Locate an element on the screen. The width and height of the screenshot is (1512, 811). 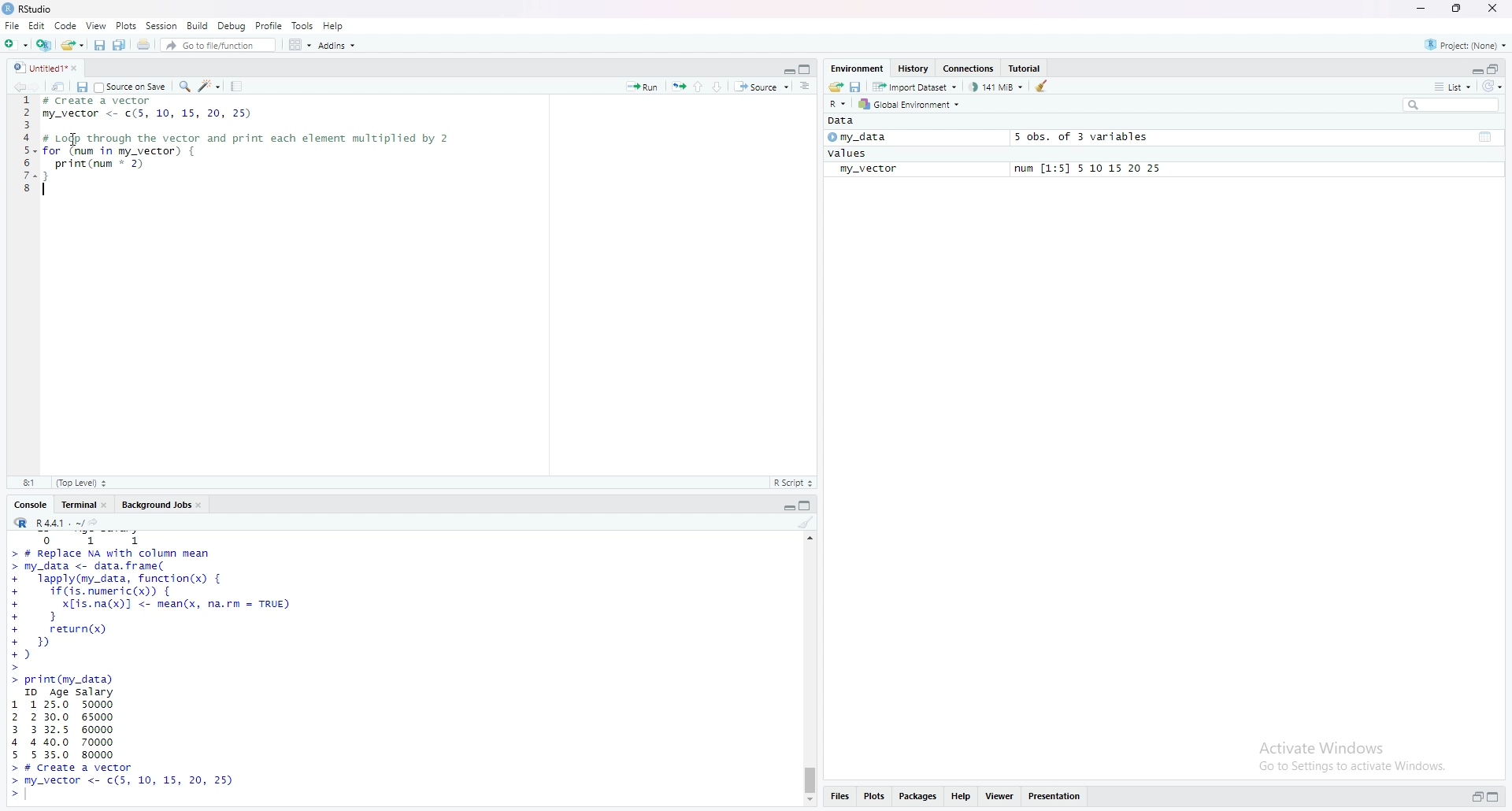
R is located at coordinates (837, 104).